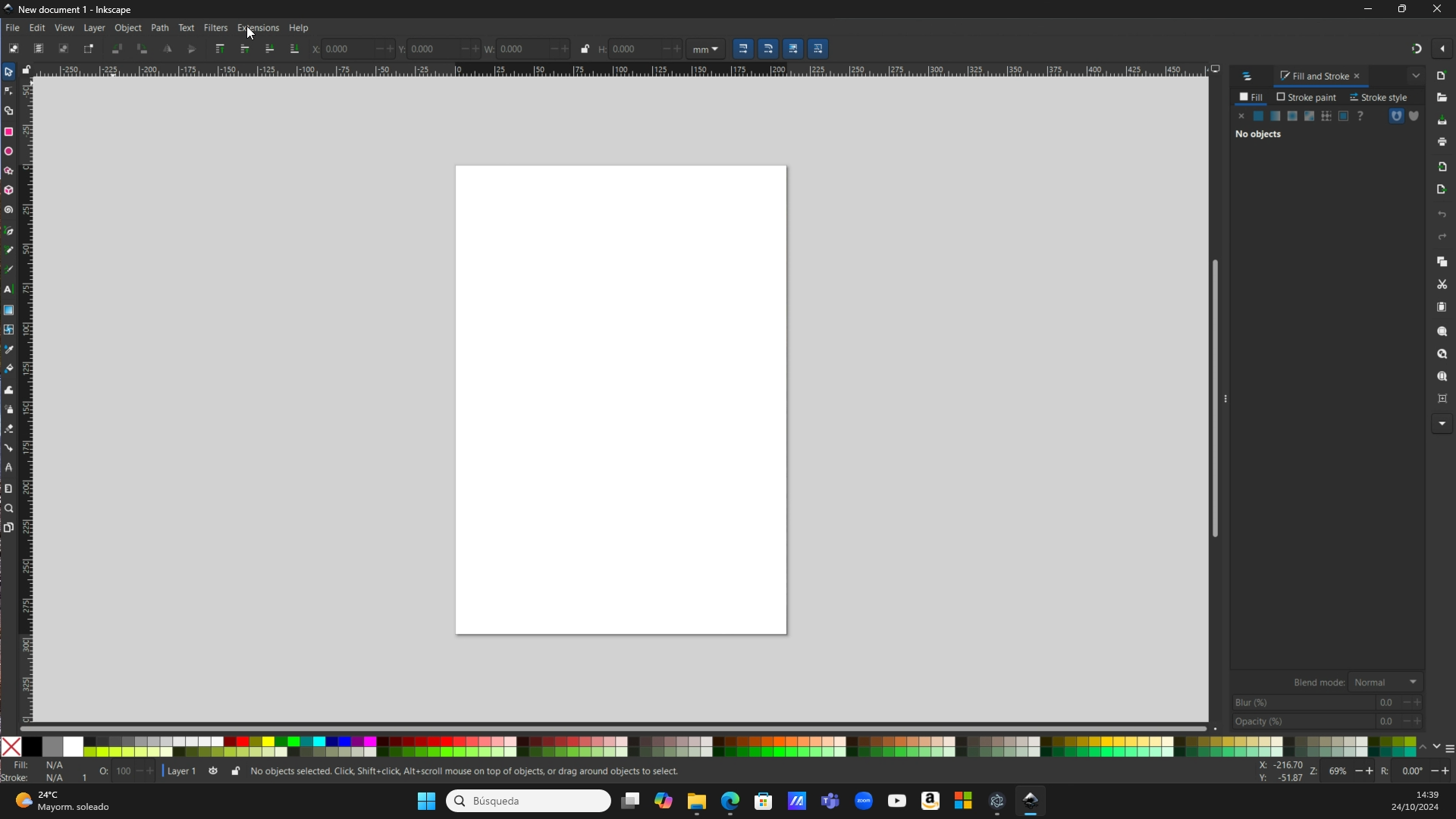 The height and width of the screenshot is (819, 1456). Describe the element at coordinates (566, 48) in the screenshot. I see `Image Shape Customization` at that location.